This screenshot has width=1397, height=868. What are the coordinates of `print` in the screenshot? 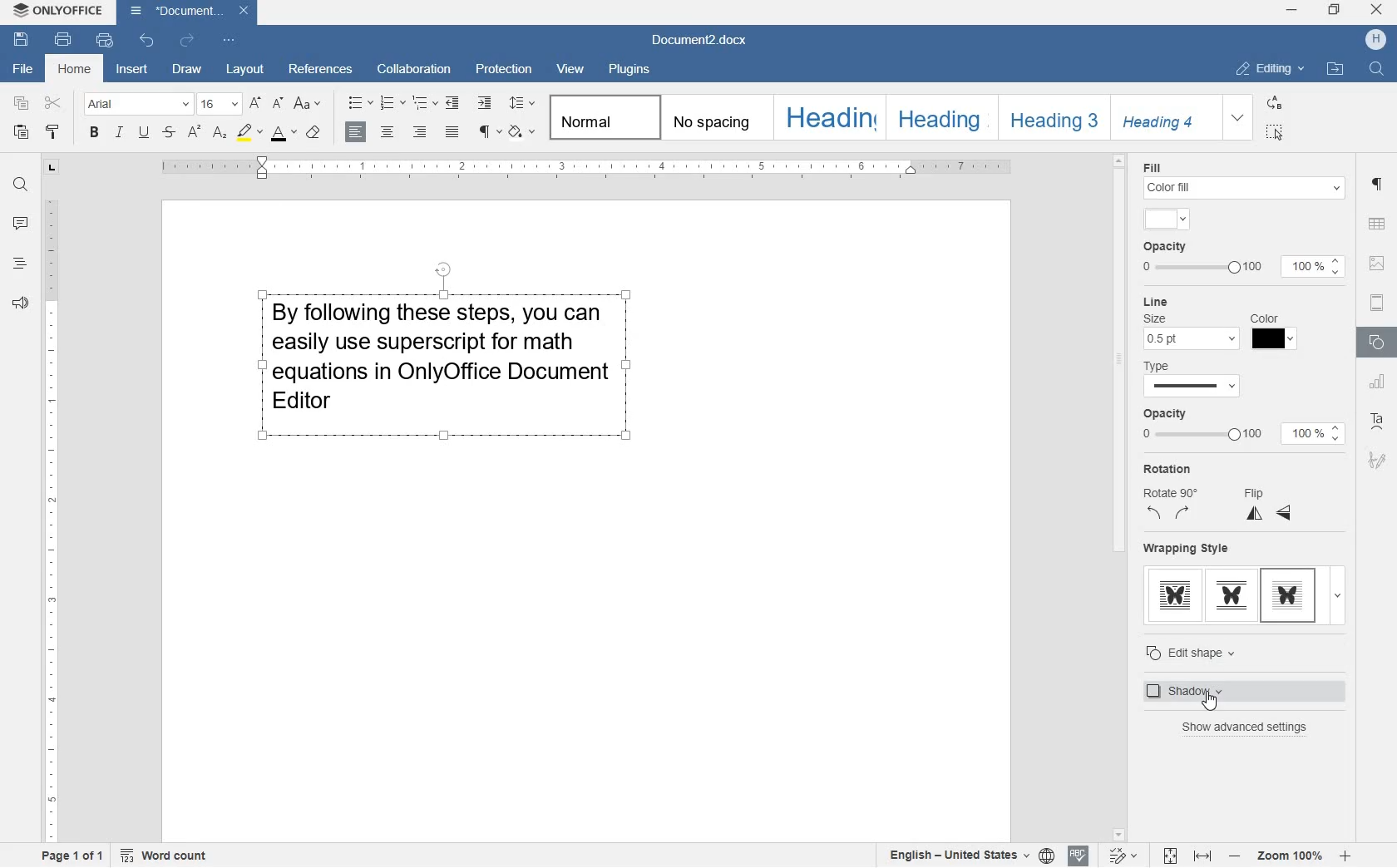 It's located at (64, 40).